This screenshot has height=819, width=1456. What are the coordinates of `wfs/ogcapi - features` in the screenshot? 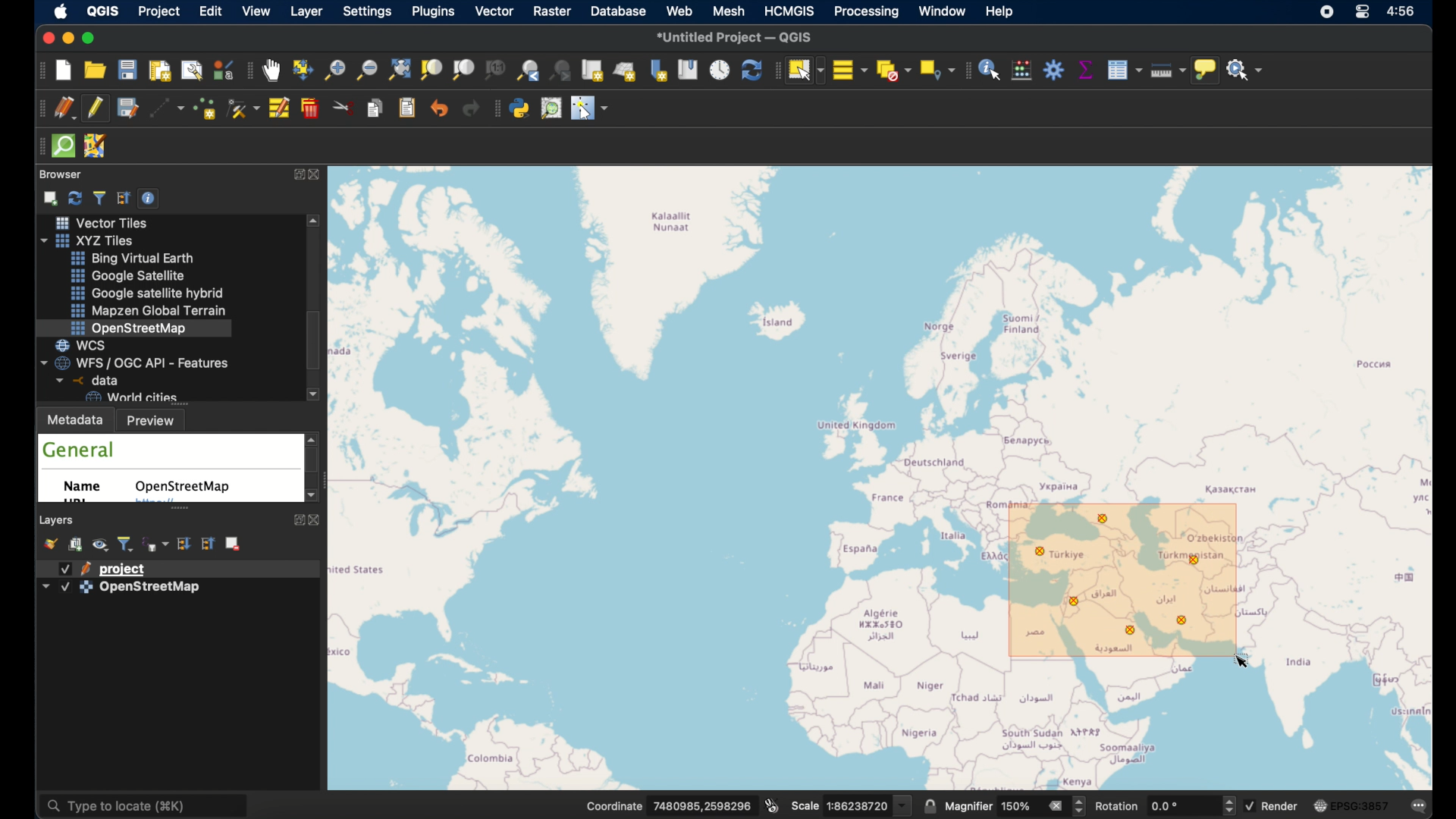 It's located at (136, 362).